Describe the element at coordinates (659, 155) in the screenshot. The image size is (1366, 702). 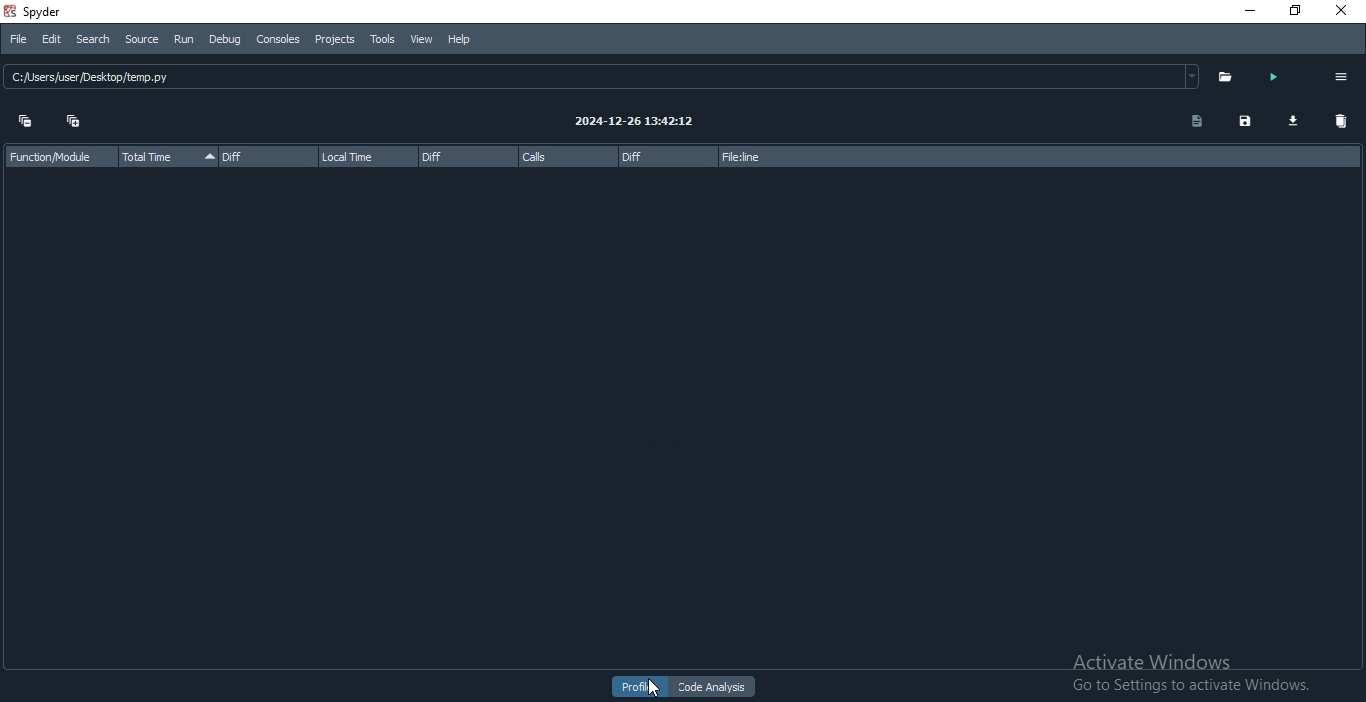
I see `diff` at that location.